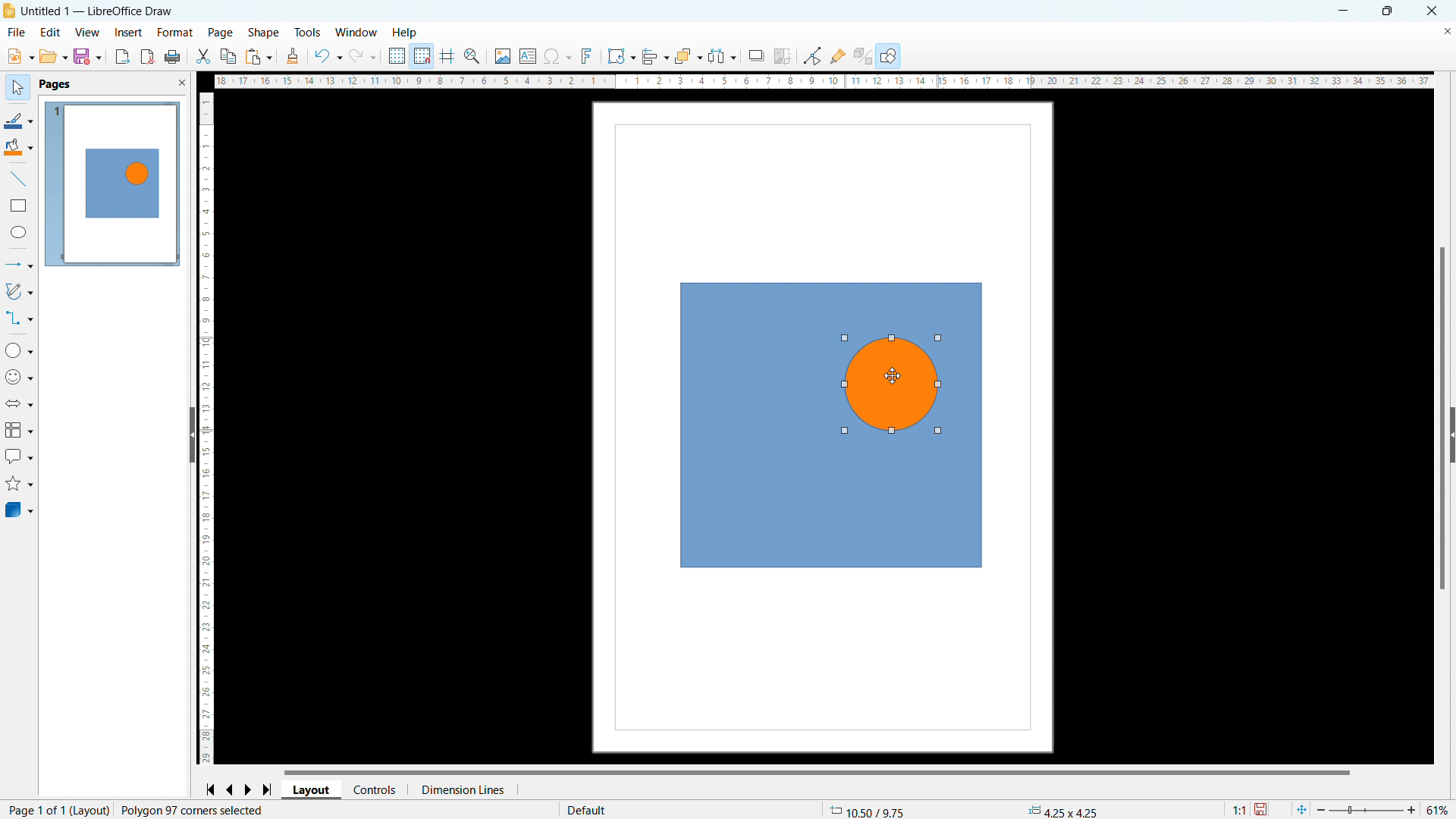 The height and width of the screenshot is (819, 1456). Describe the element at coordinates (587, 56) in the screenshot. I see `insert fontwork text` at that location.